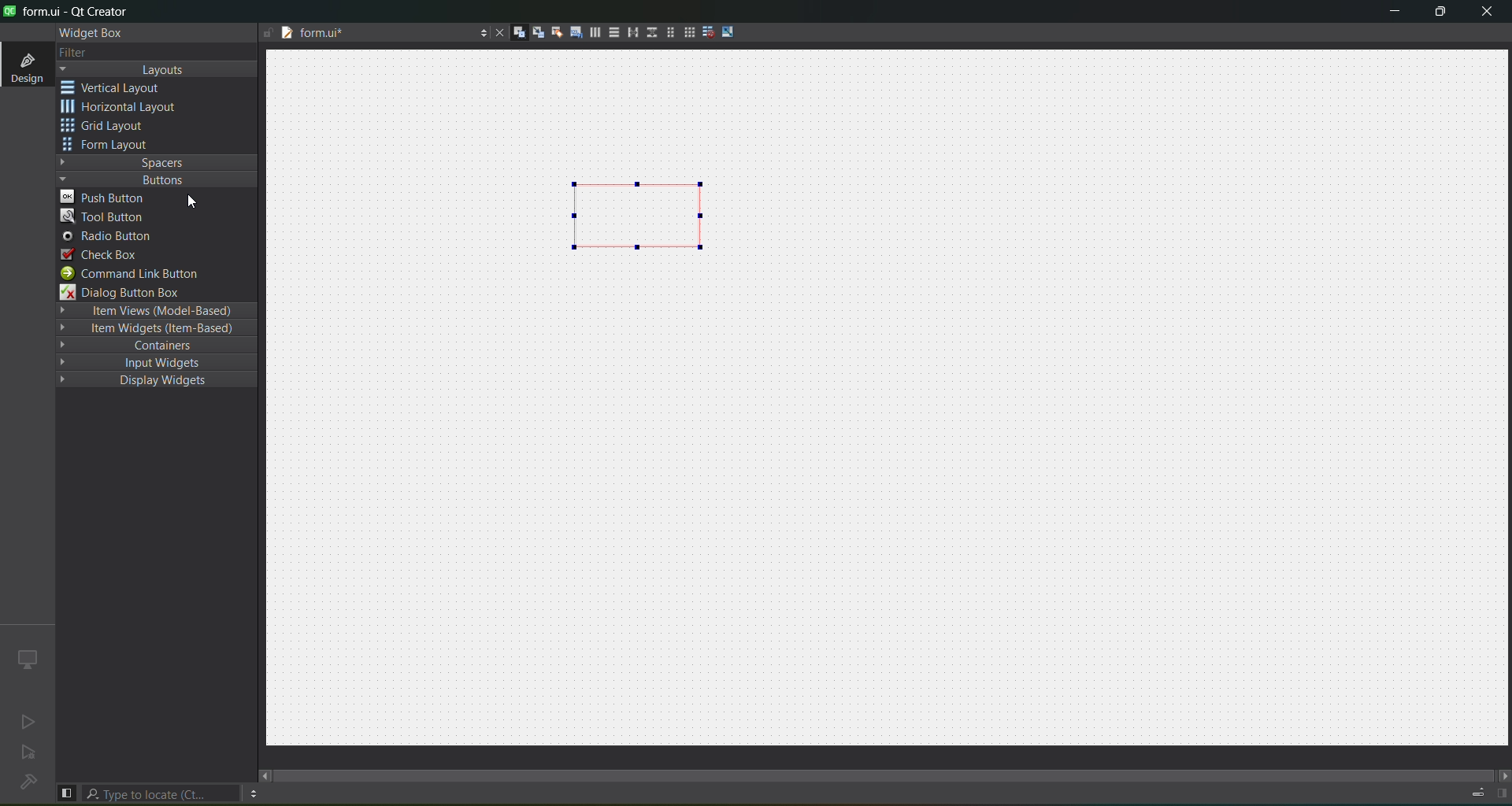  I want to click on cursor, so click(195, 204).